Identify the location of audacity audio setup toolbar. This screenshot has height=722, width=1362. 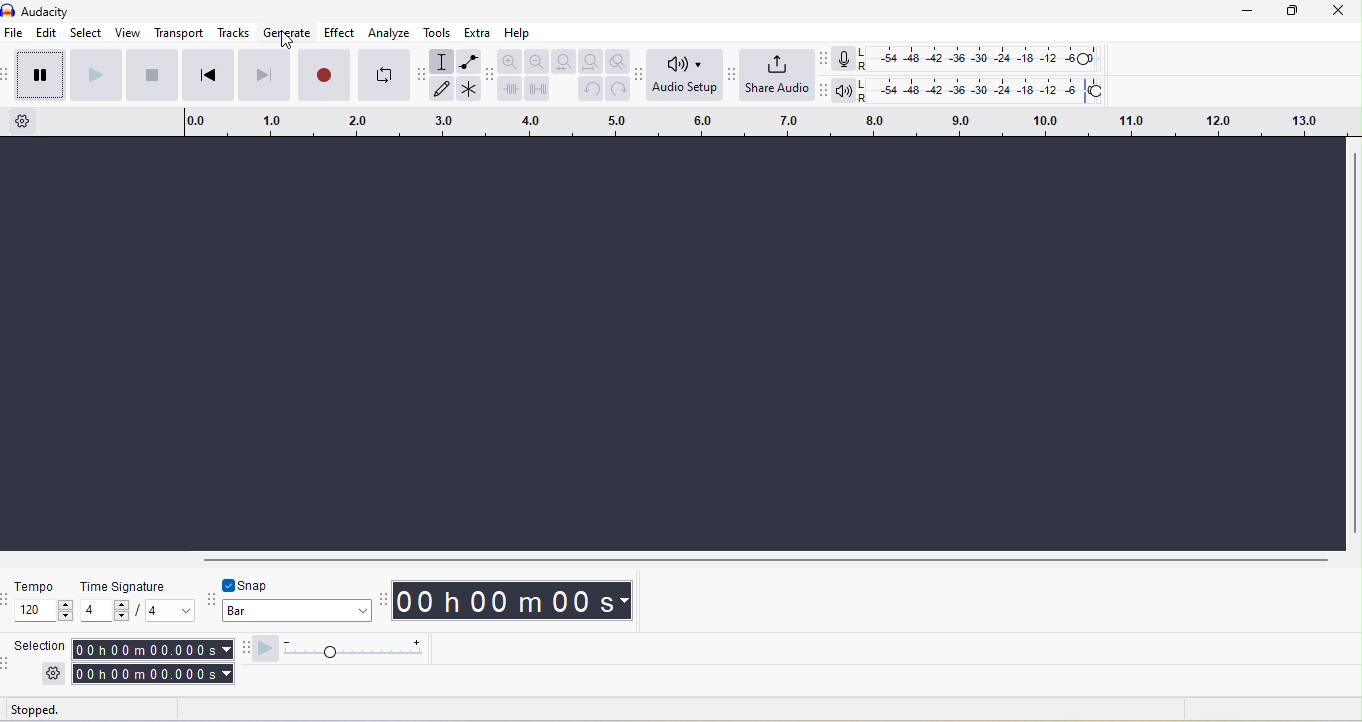
(643, 78).